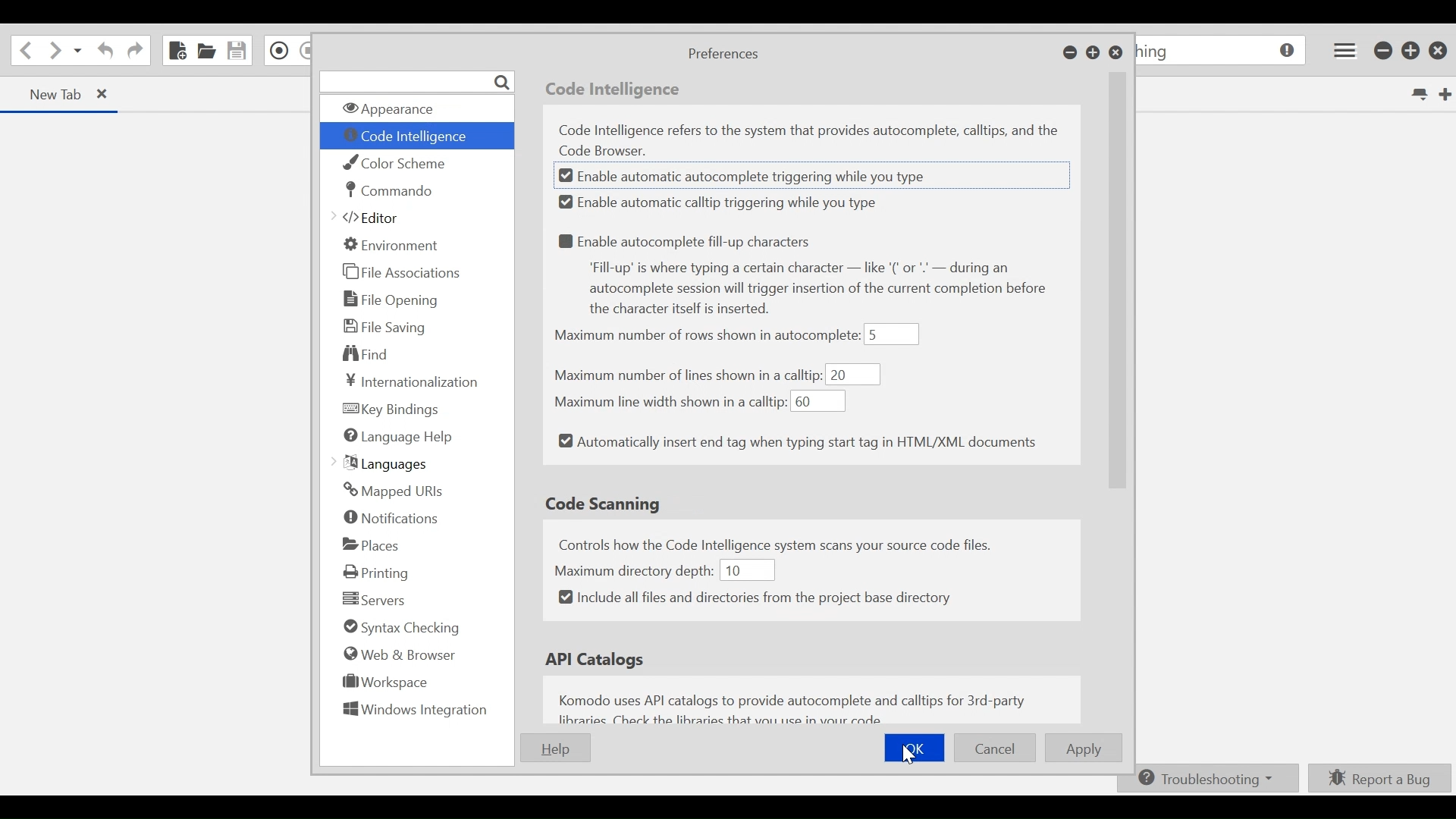 This screenshot has width=1456, height=819. What do you see at coordinates (135, 52) in the screenshot?
I see `Redo last action` at bounding box center [135, 52].